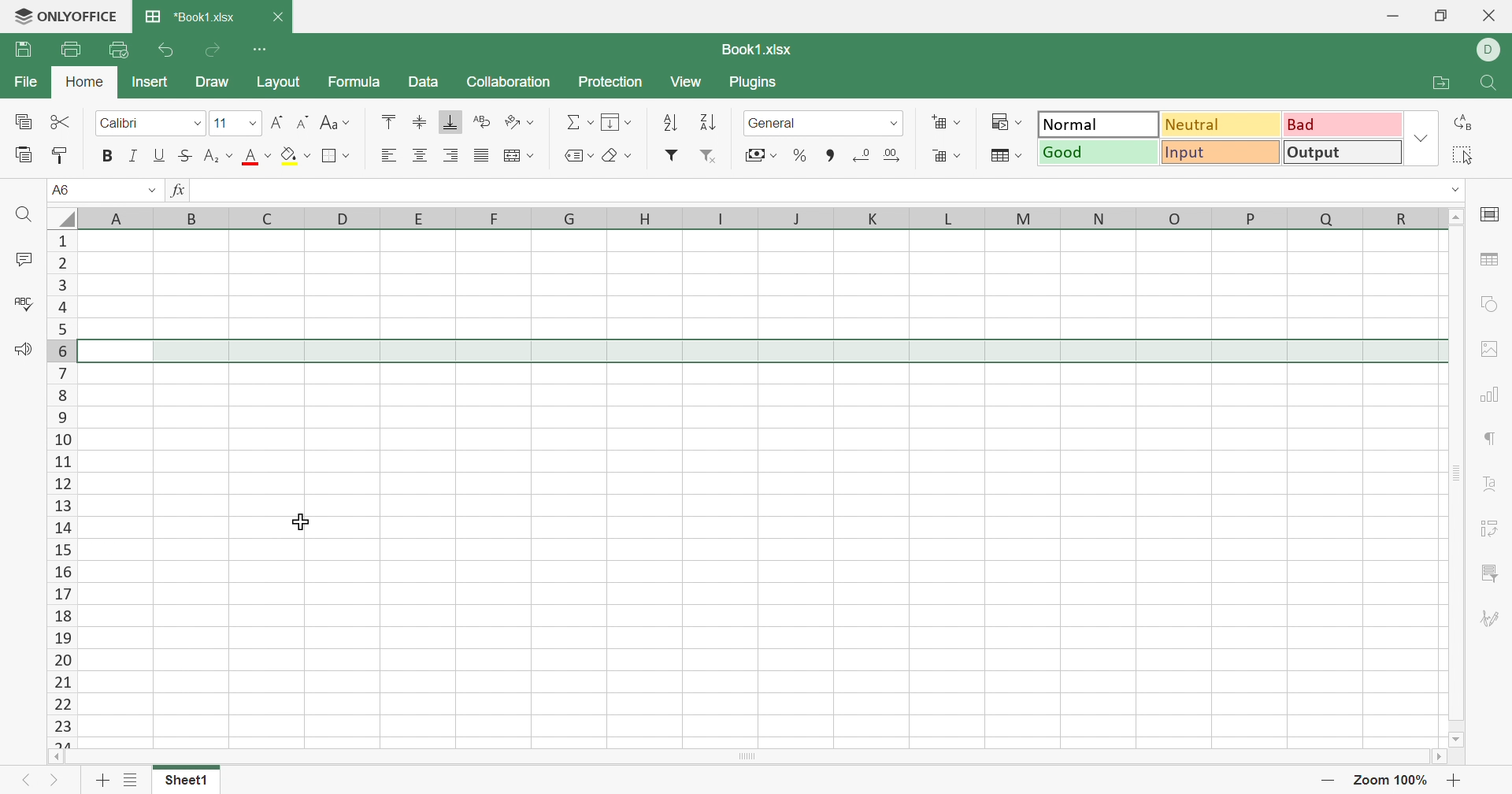 Image resolution: width=1512 pixels, height=794 pixels. I want to click on Underline, so click(160, 156).